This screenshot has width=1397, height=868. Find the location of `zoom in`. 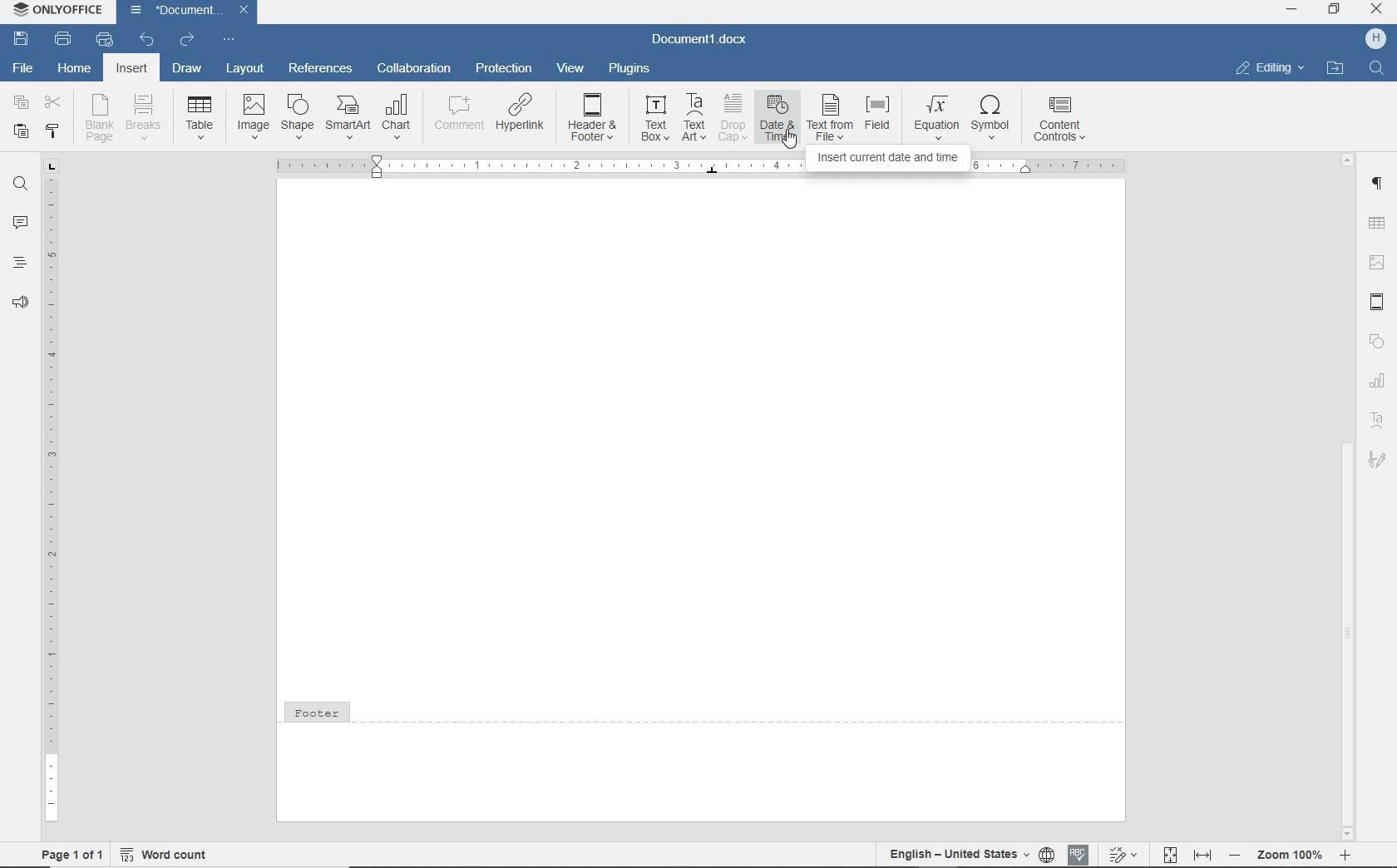

zoom in is located at coordinates (1347, 856).